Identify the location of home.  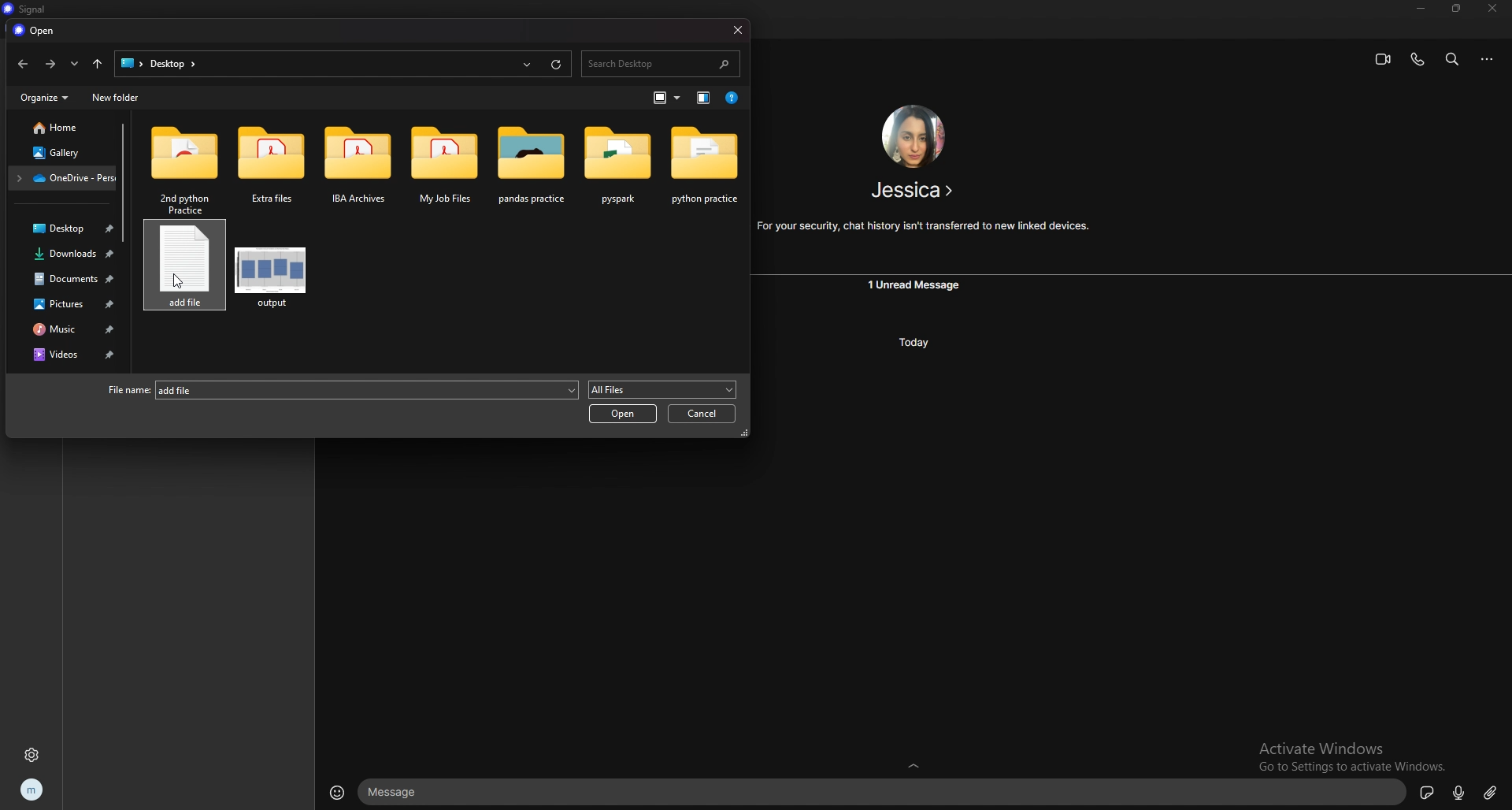
(55, 127).